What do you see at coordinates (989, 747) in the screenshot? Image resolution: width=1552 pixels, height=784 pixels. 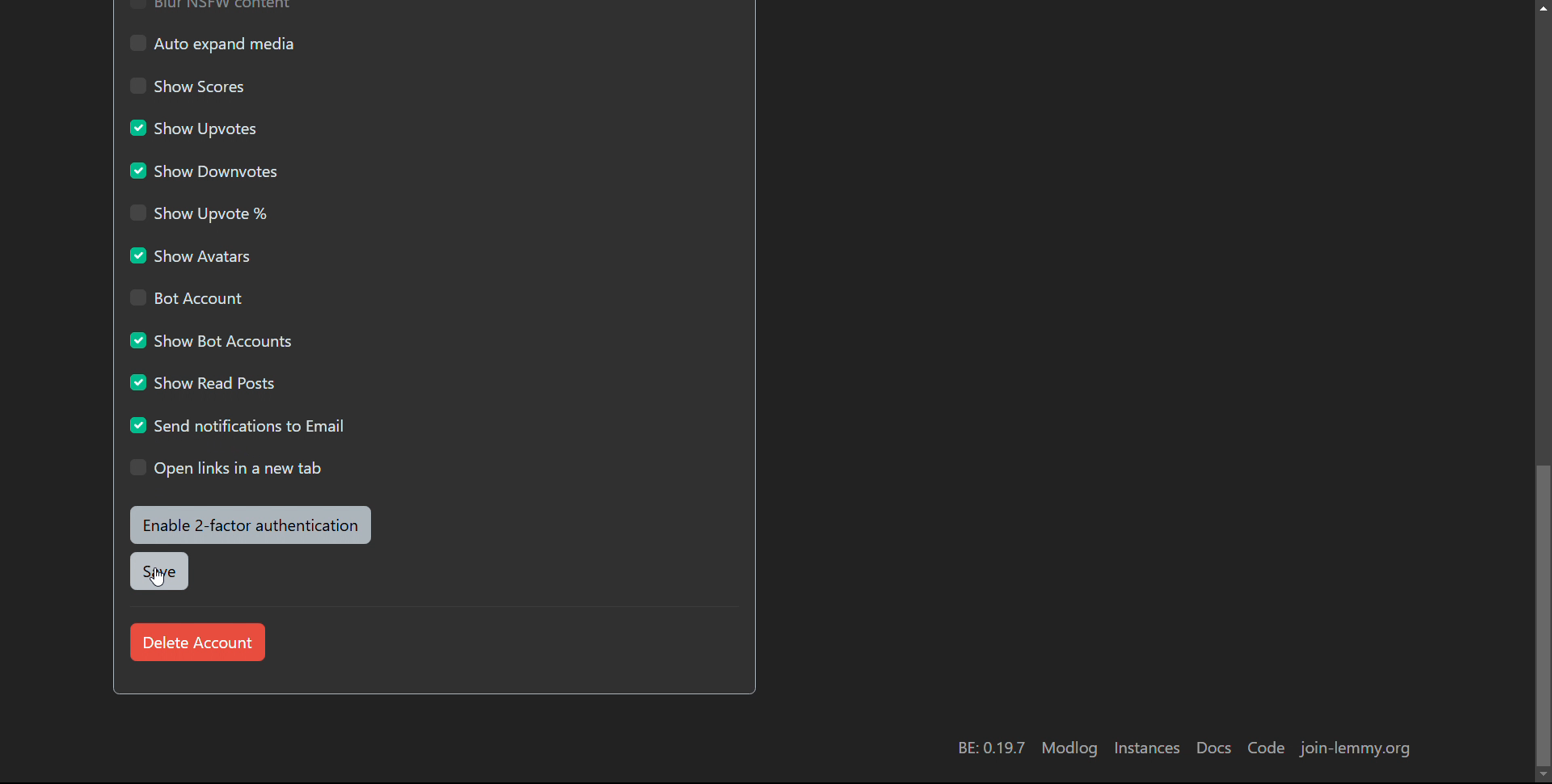 I see `BE: 0.19.7` at bounding box center [989, 747].